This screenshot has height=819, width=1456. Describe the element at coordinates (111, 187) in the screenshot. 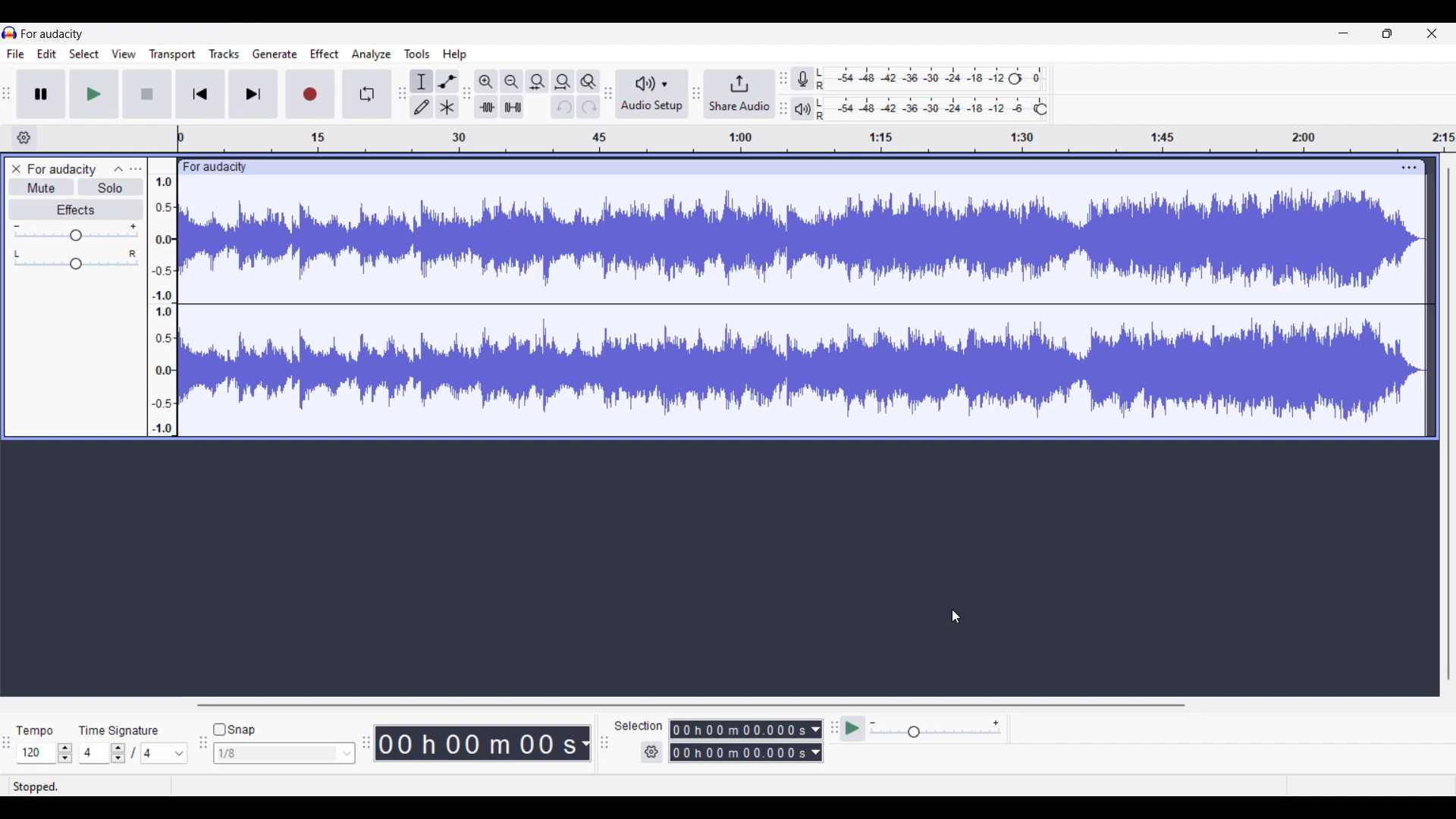

I see `Solo` at that location.